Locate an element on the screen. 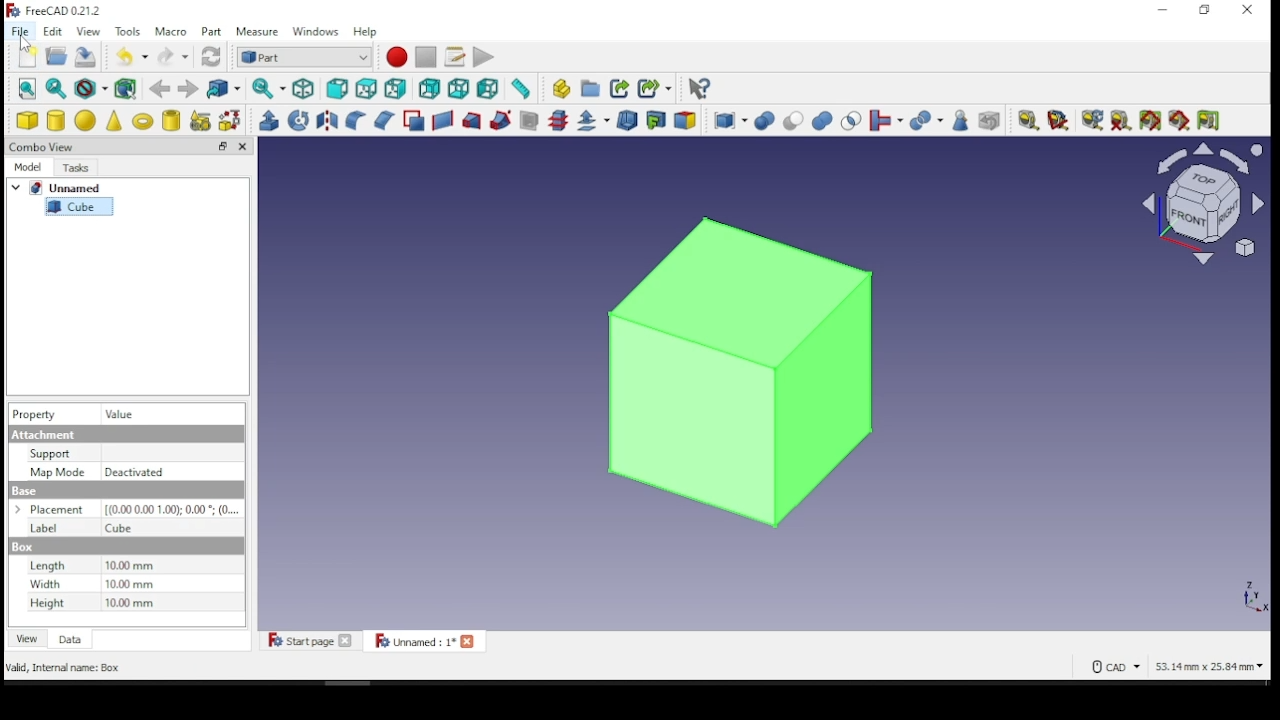  section is located at coordinates (530, 121).